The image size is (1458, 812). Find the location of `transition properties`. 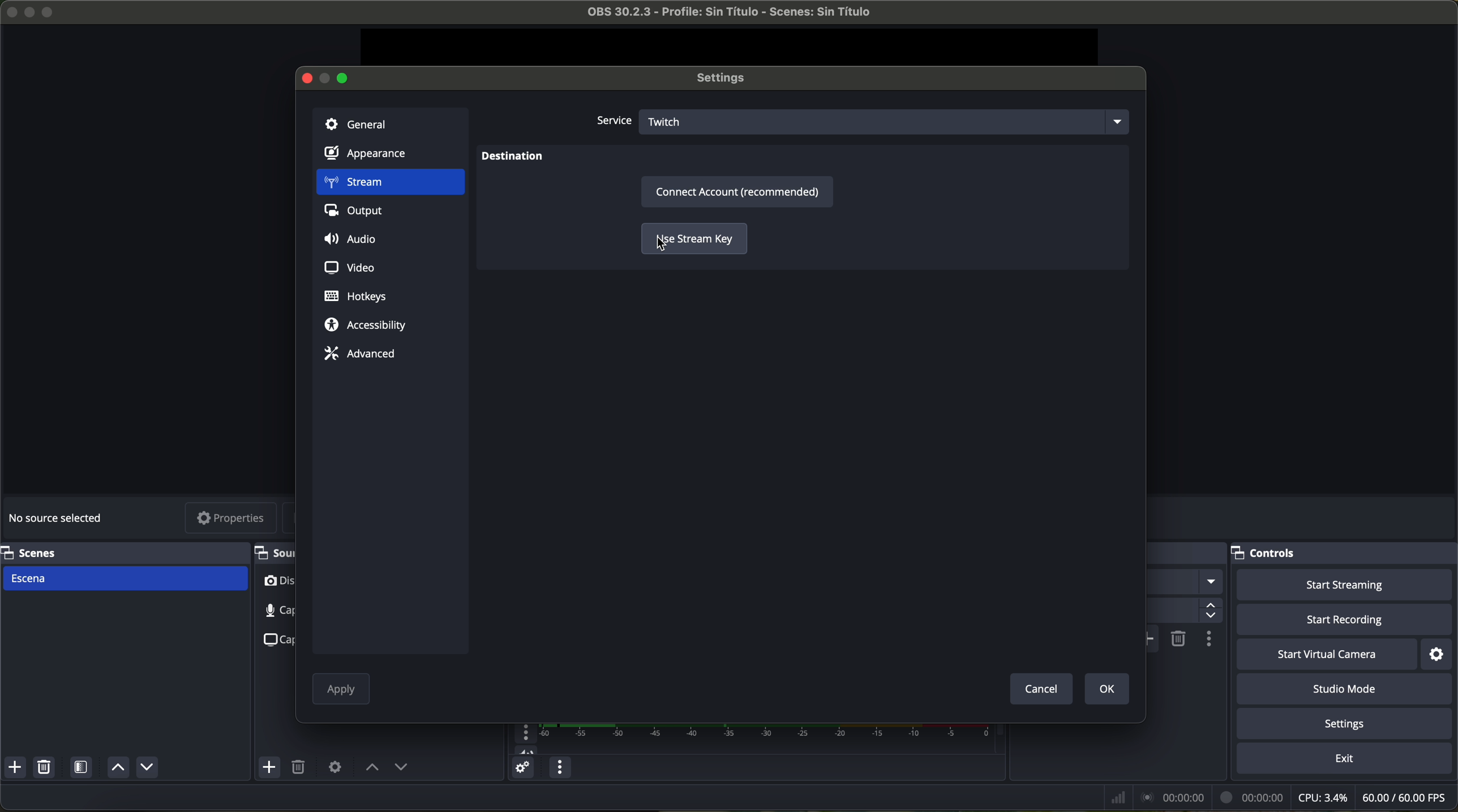

transition properties is located at coordinates (1208, 641).